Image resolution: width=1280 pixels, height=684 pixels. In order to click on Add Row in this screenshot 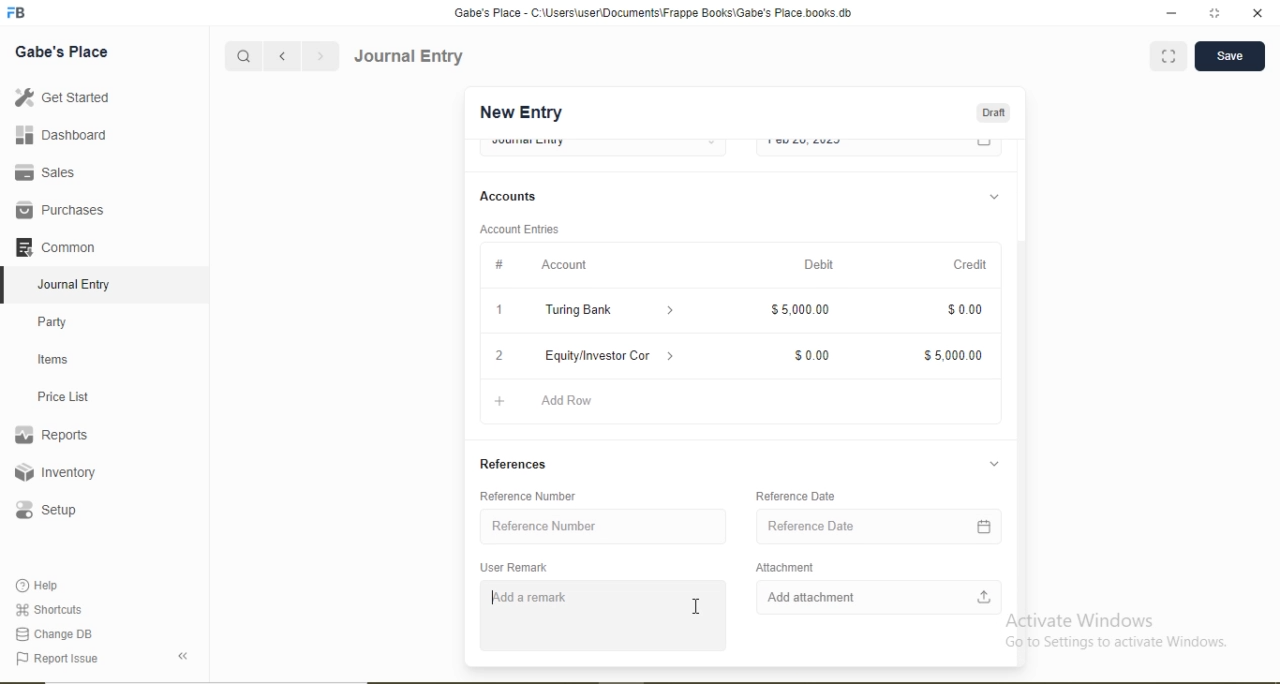, I will do `click(570, 401)`.